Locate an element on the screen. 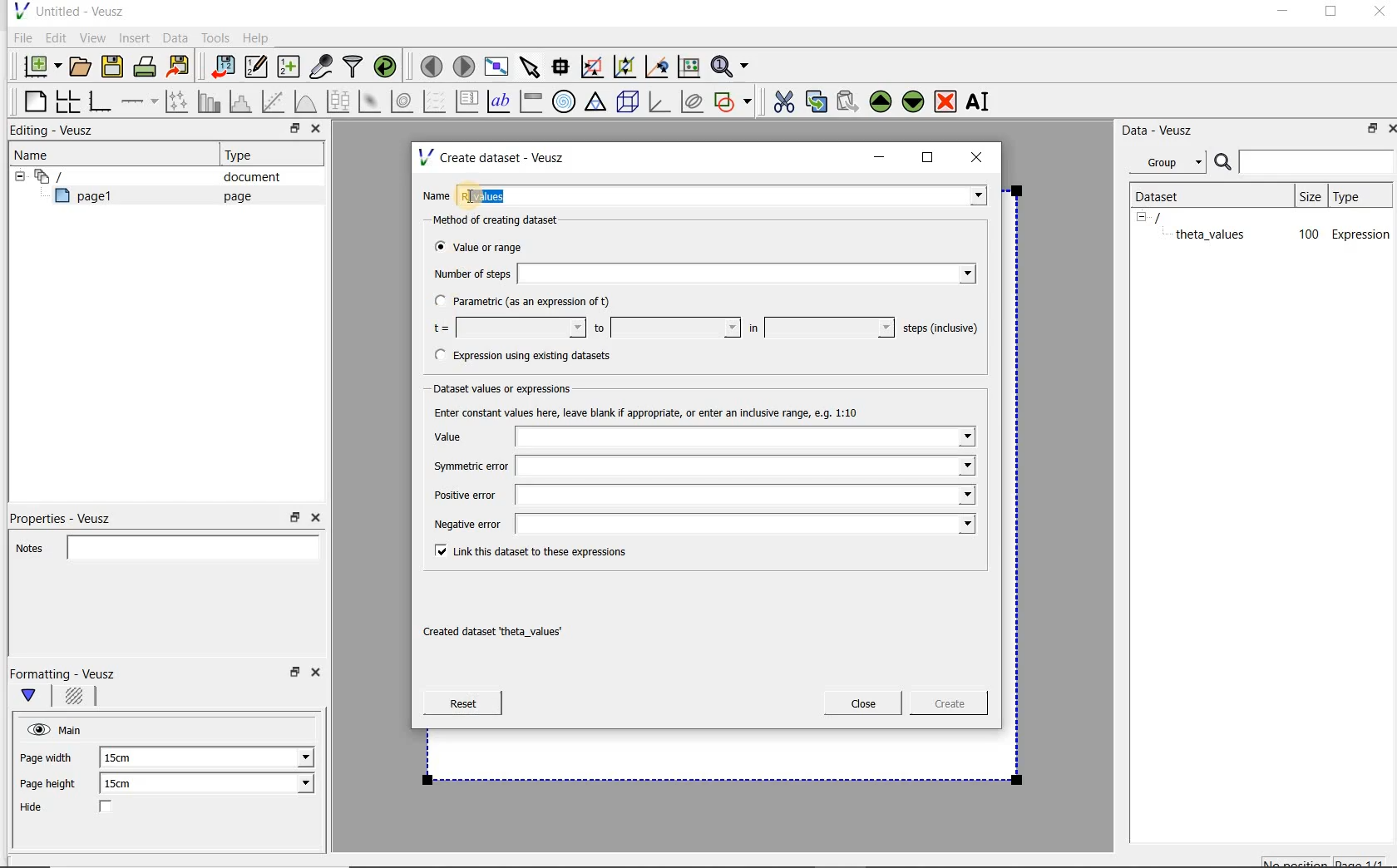  text label is located at coordinates (501, 101).